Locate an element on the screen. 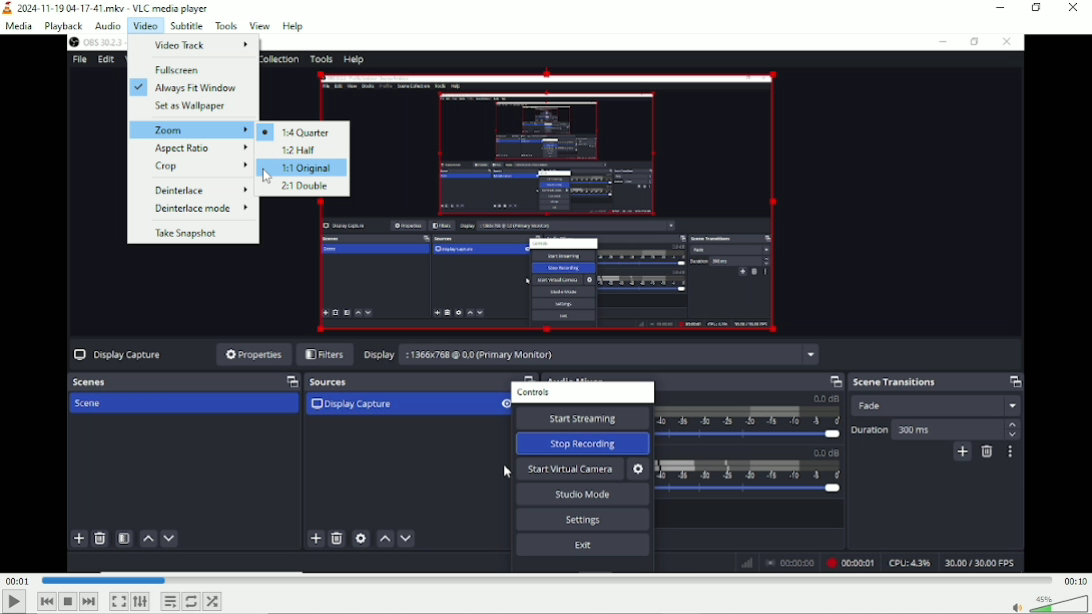  subtitle is located at coordinates (184, 25).